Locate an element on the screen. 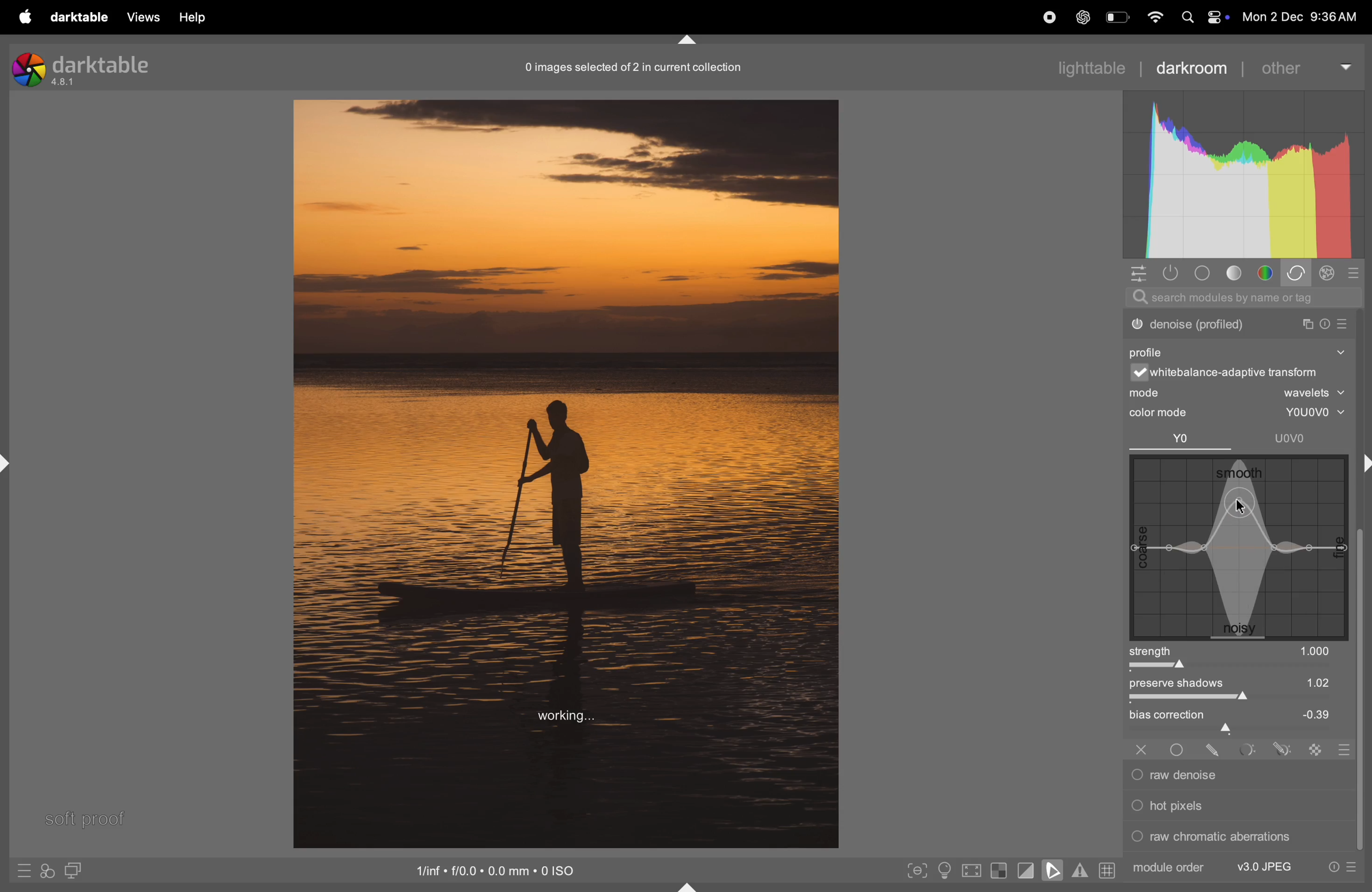 The width and height of the screenshot is (1372, 892). 1000 is located at coordinates (1316, 651).